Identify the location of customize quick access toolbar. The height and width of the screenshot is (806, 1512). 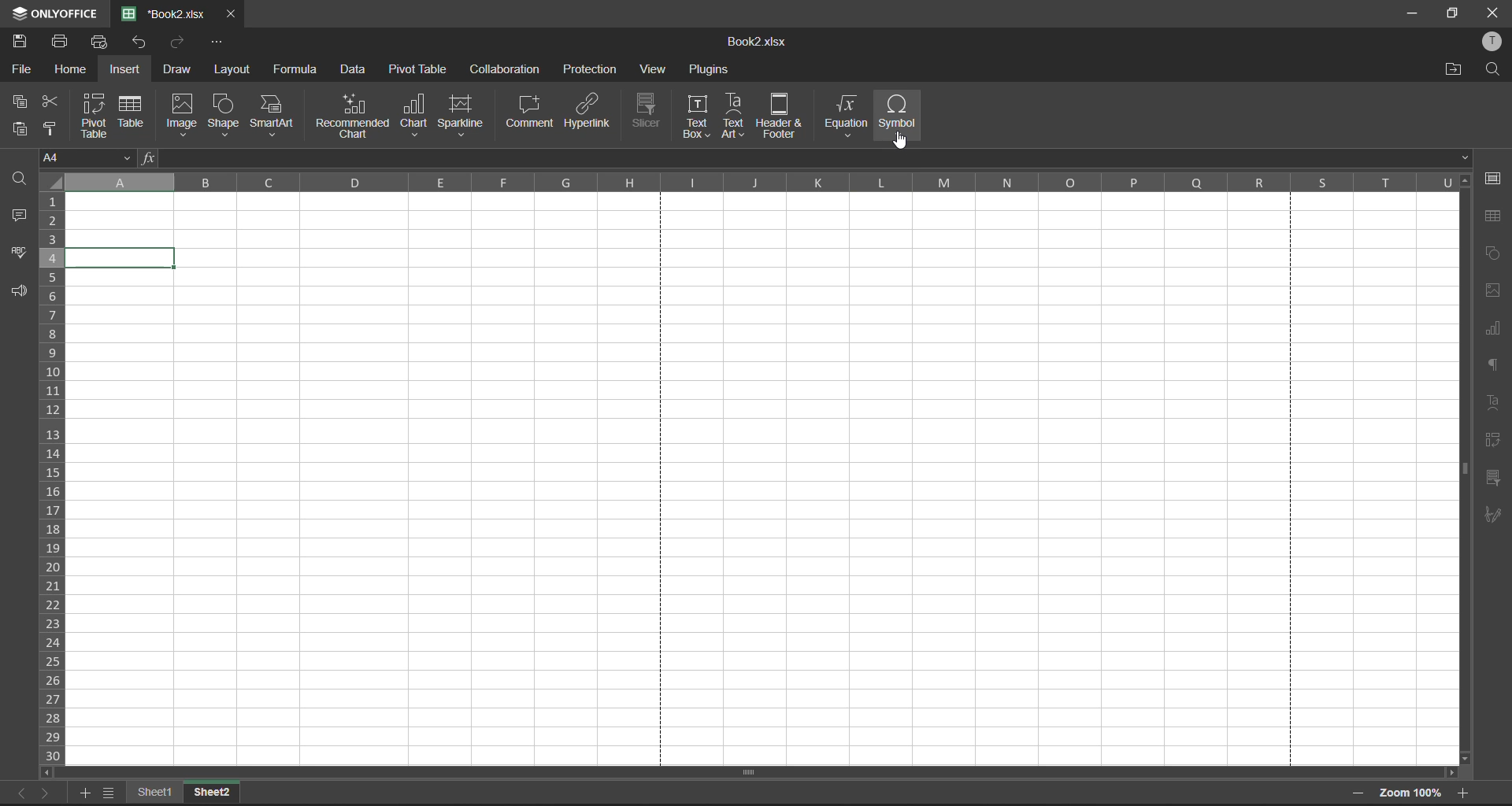
(213, 43).